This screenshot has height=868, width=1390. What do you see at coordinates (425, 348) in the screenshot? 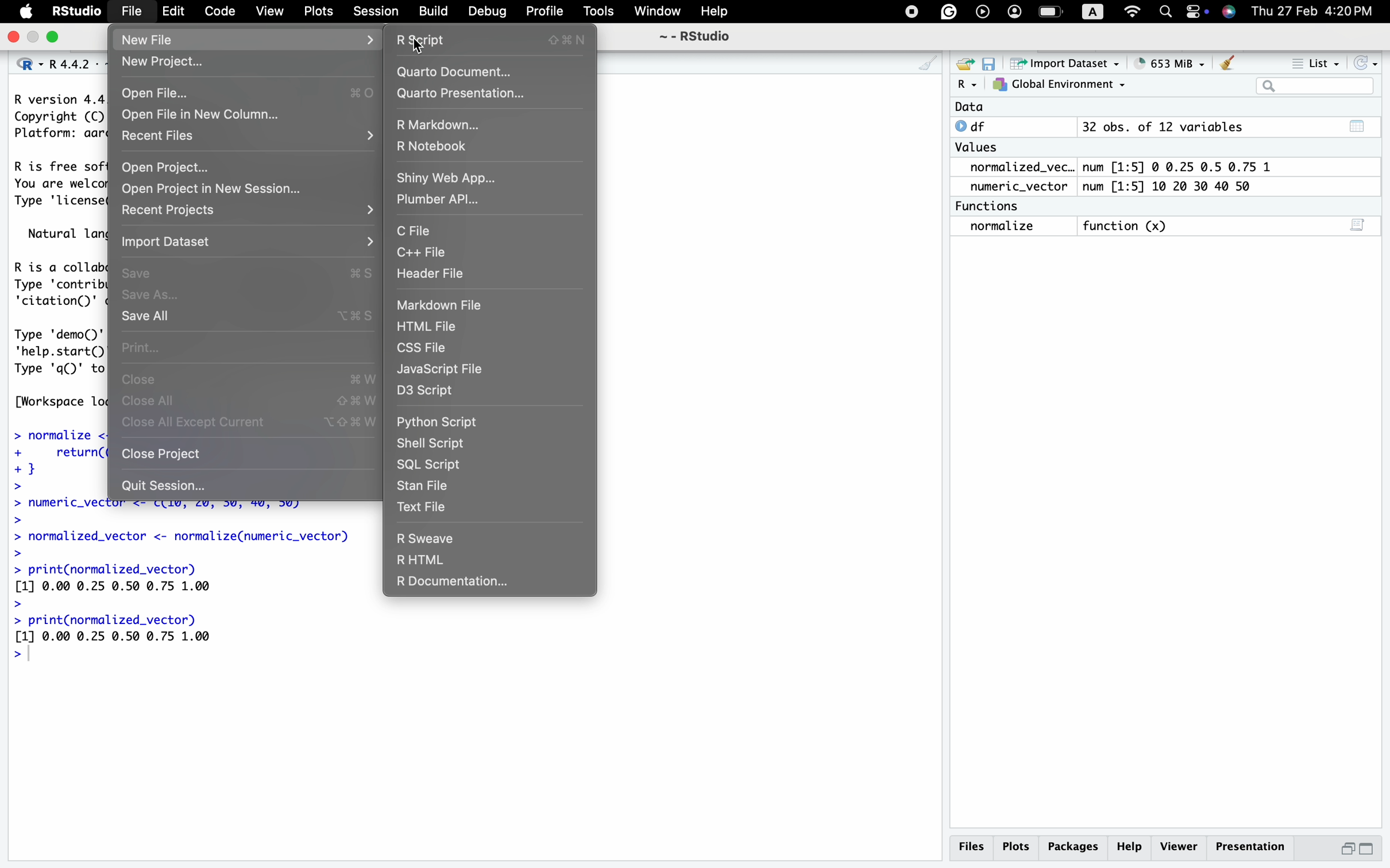
I see `CSS File` at bounding box center [425, 348].